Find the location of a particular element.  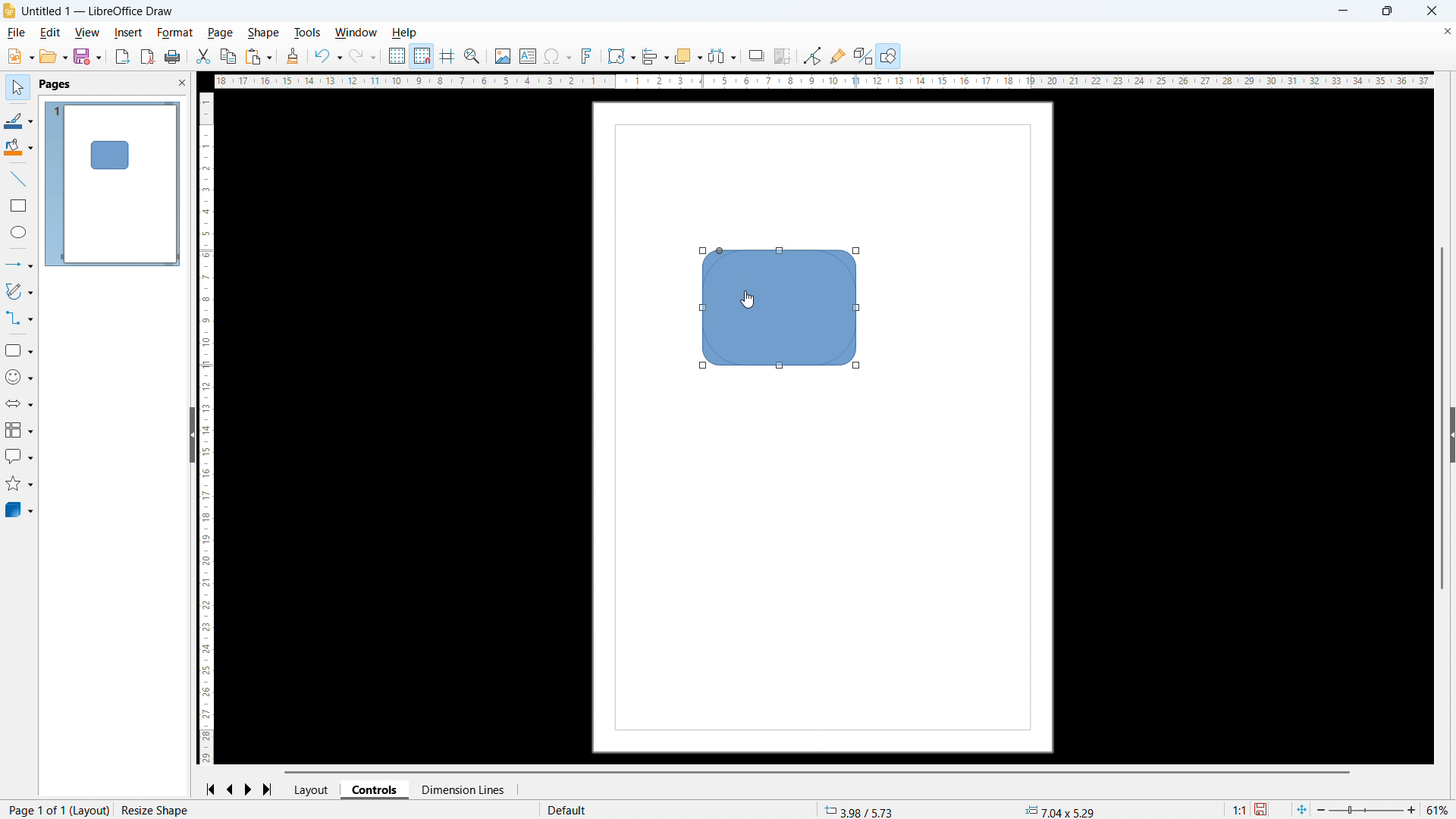

Export  is located at coordinates (122, 56).